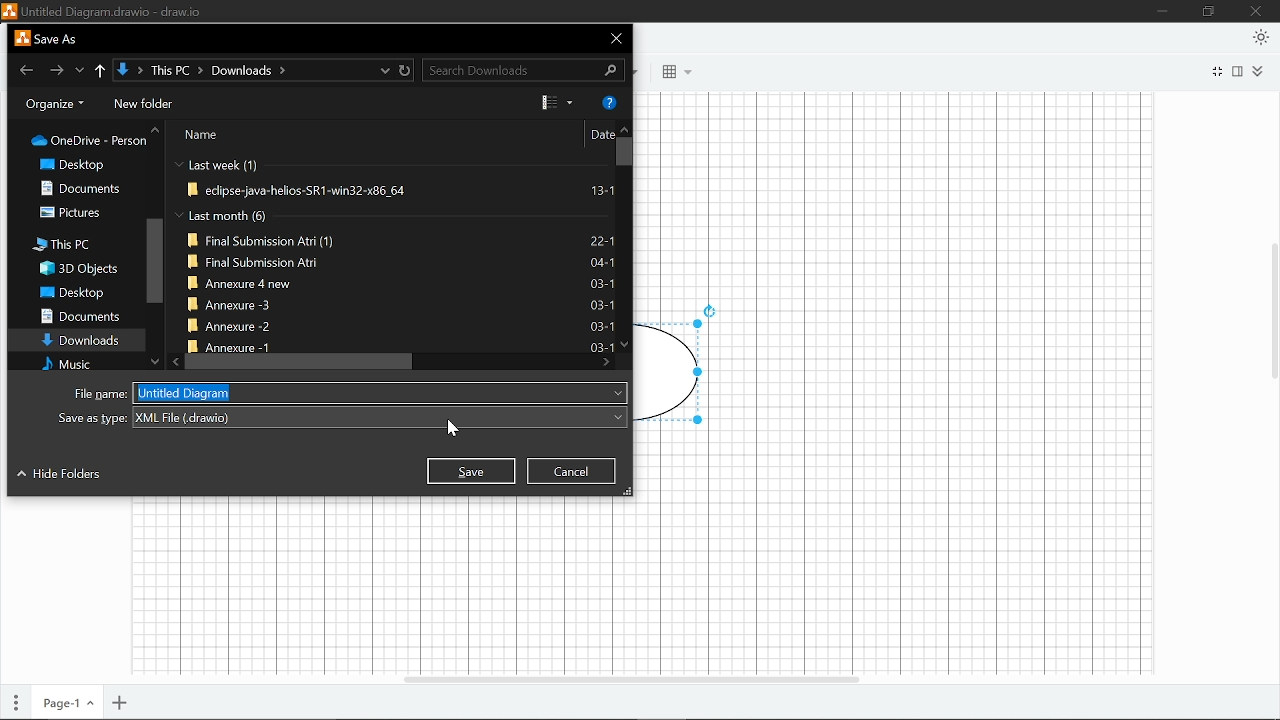 Image resolution: width=1280 pixels, height=720 pixels. I want to click on current locations, so click(385, 70).